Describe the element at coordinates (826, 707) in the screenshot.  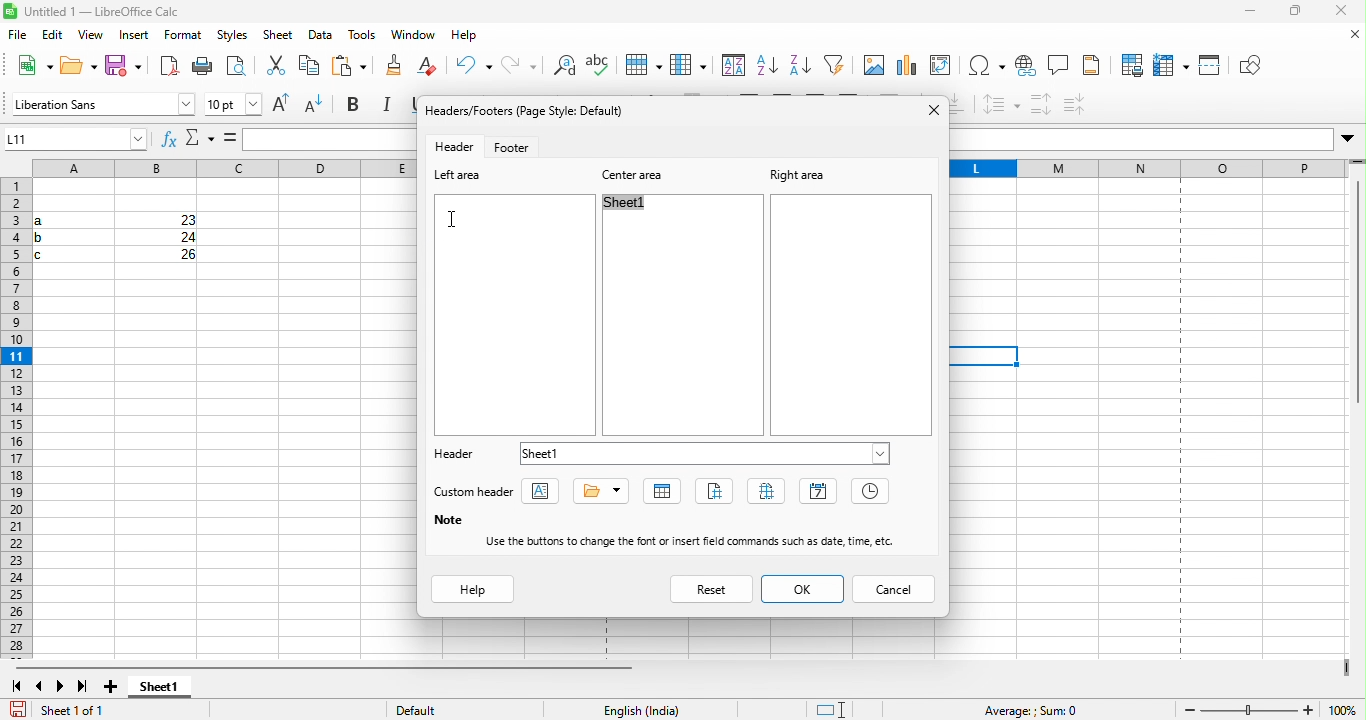
I see `standard selection` at that location.